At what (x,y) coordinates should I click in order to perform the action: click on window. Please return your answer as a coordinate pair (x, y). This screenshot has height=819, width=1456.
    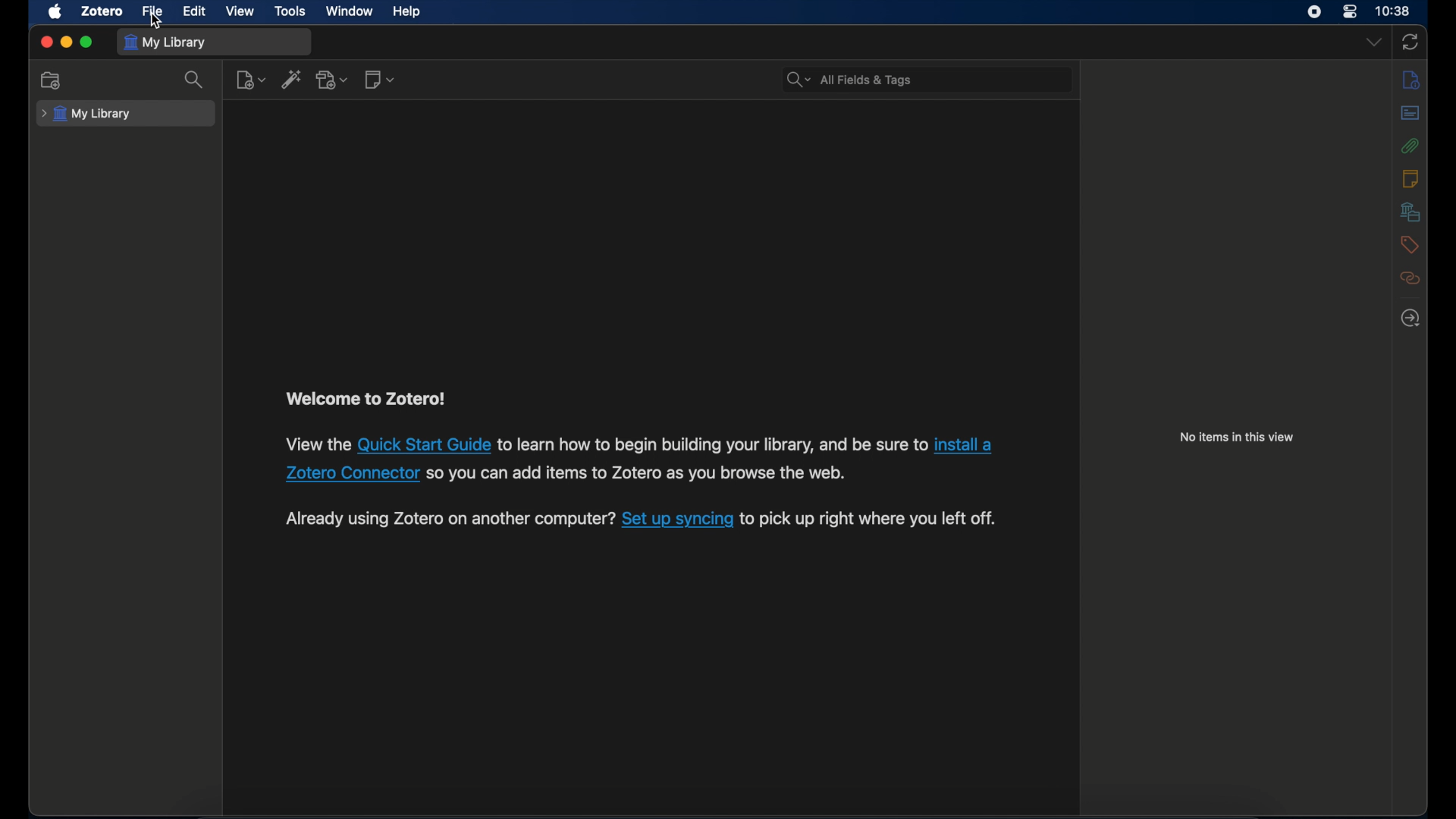
    Looking at the image, I should click on (350, 11).